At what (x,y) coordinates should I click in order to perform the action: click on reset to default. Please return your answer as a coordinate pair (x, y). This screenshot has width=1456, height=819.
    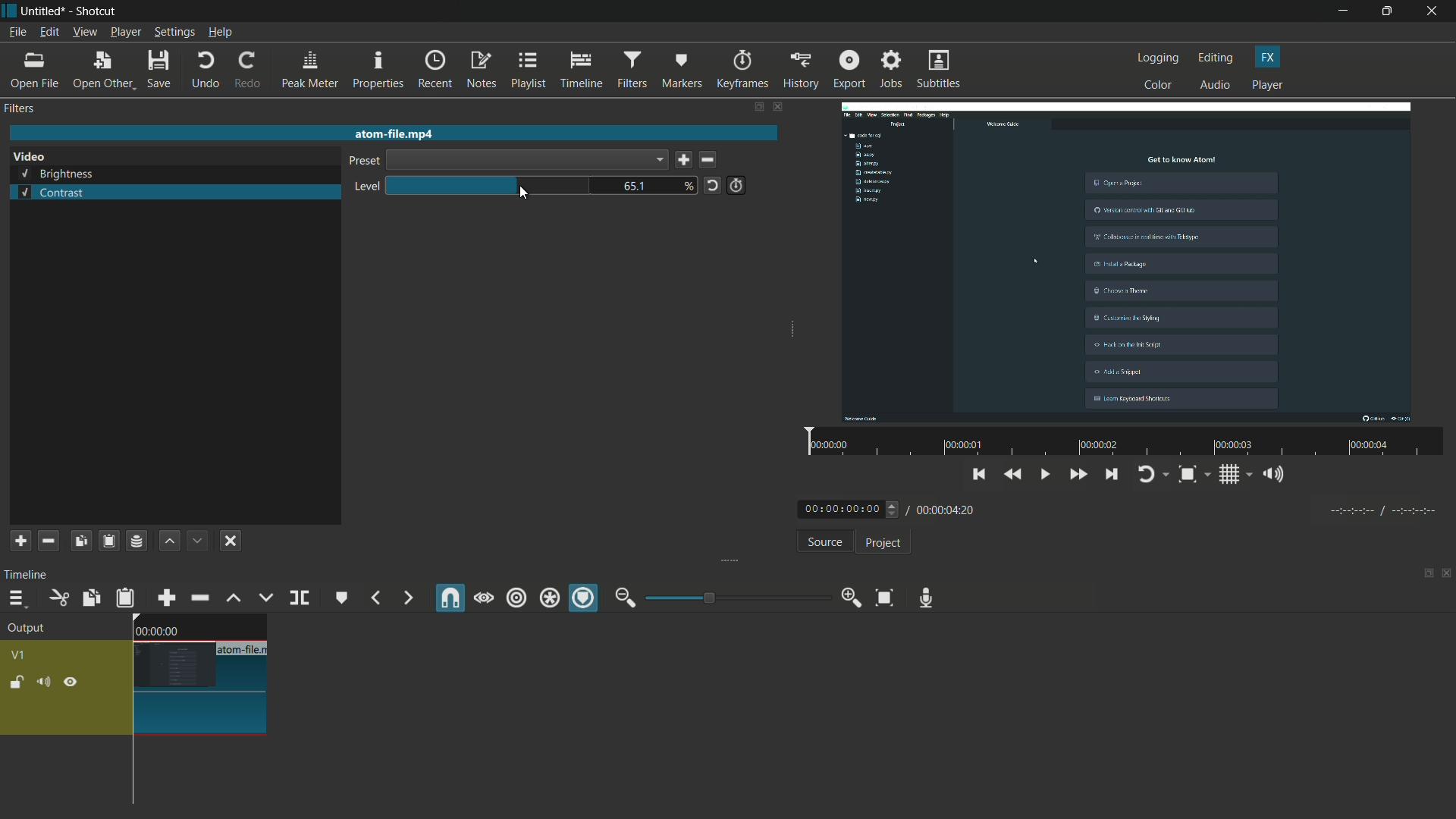
    Looking at the image, I should click on (712, 184).